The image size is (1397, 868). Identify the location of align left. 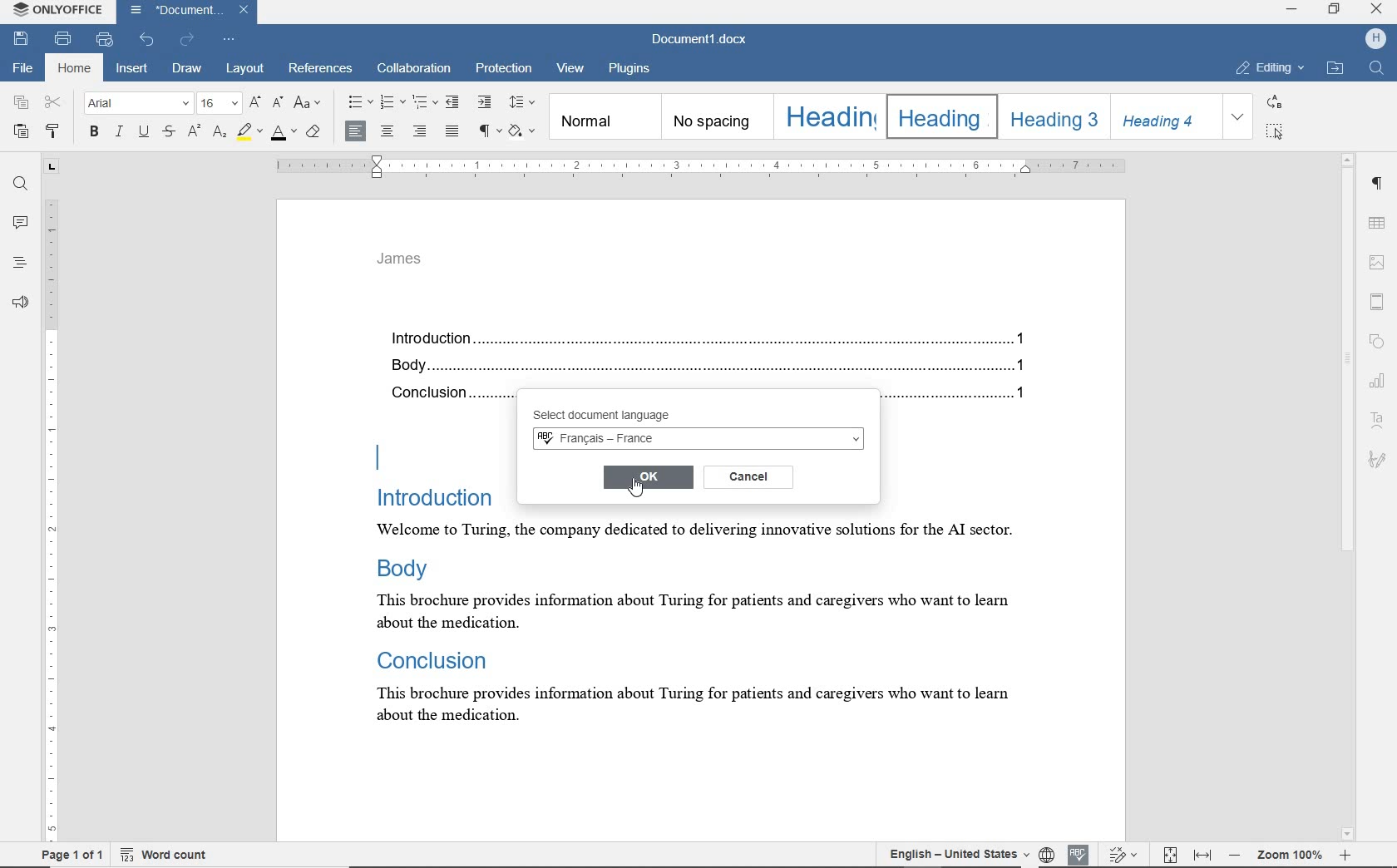
(356, 131).